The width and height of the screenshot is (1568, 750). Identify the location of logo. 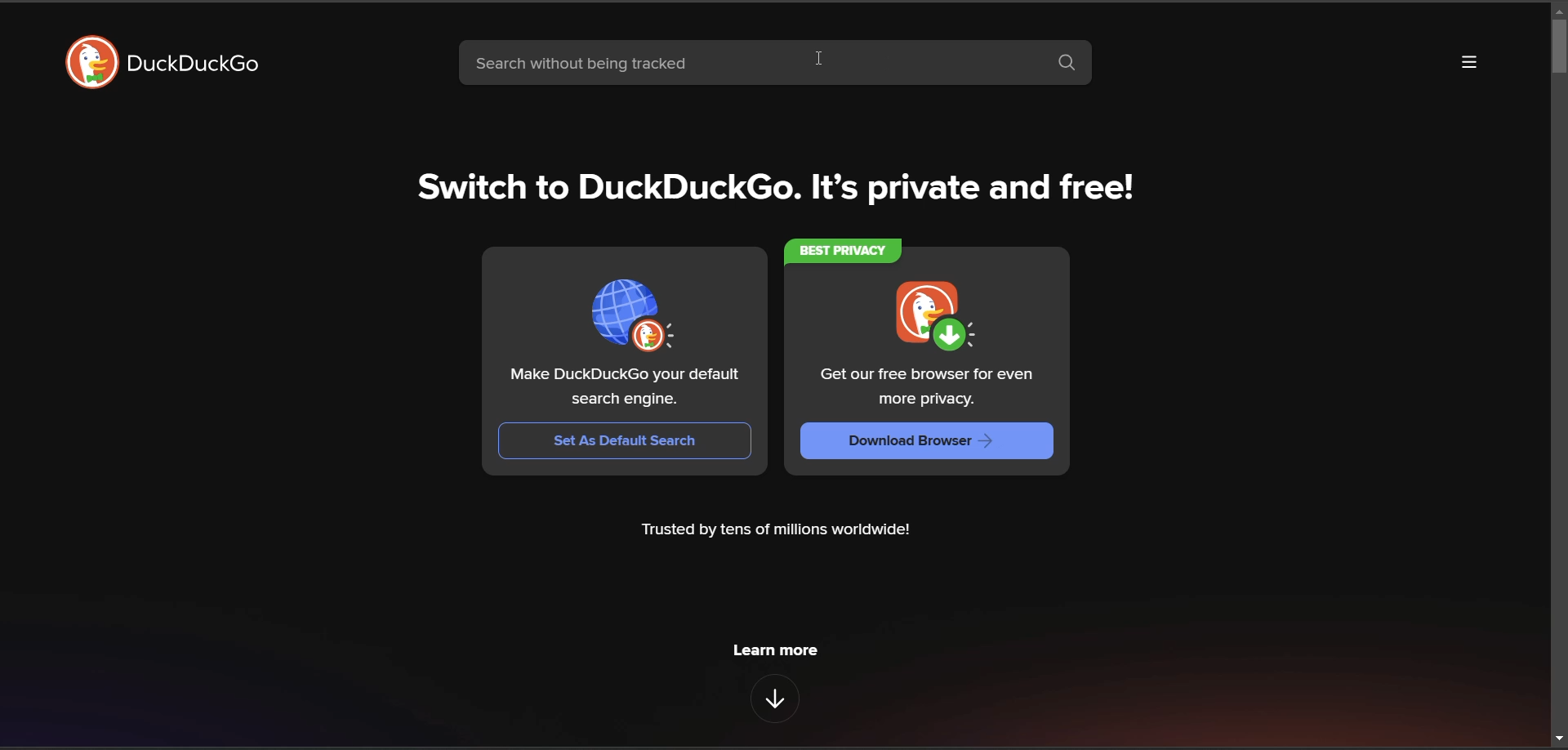
(635, 315).